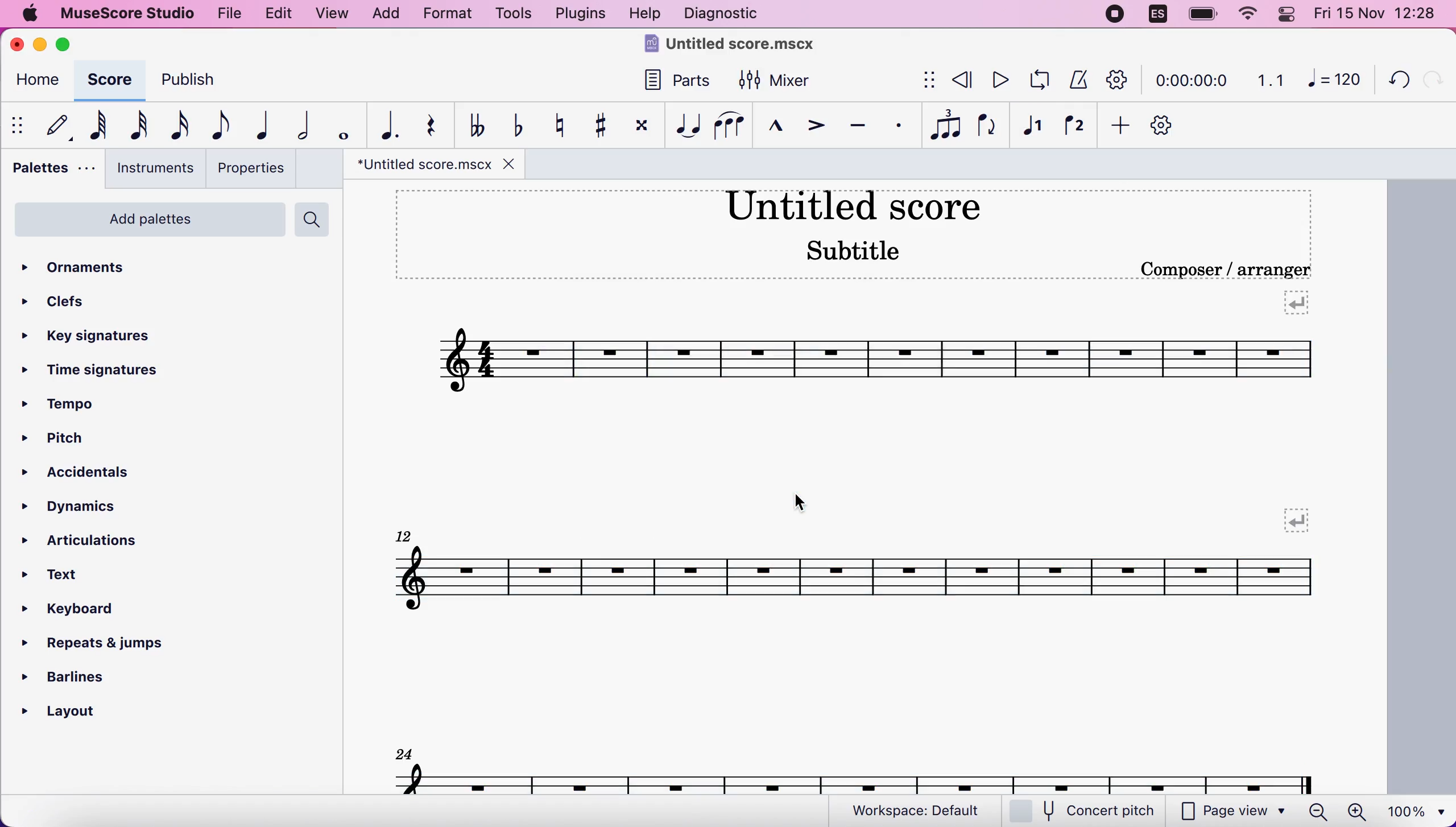 This screenshot has width=1456, height=827. What do you see at coordinates (729, 125) in the screenshot?
I see `slur` at bounding box center [729, 125].